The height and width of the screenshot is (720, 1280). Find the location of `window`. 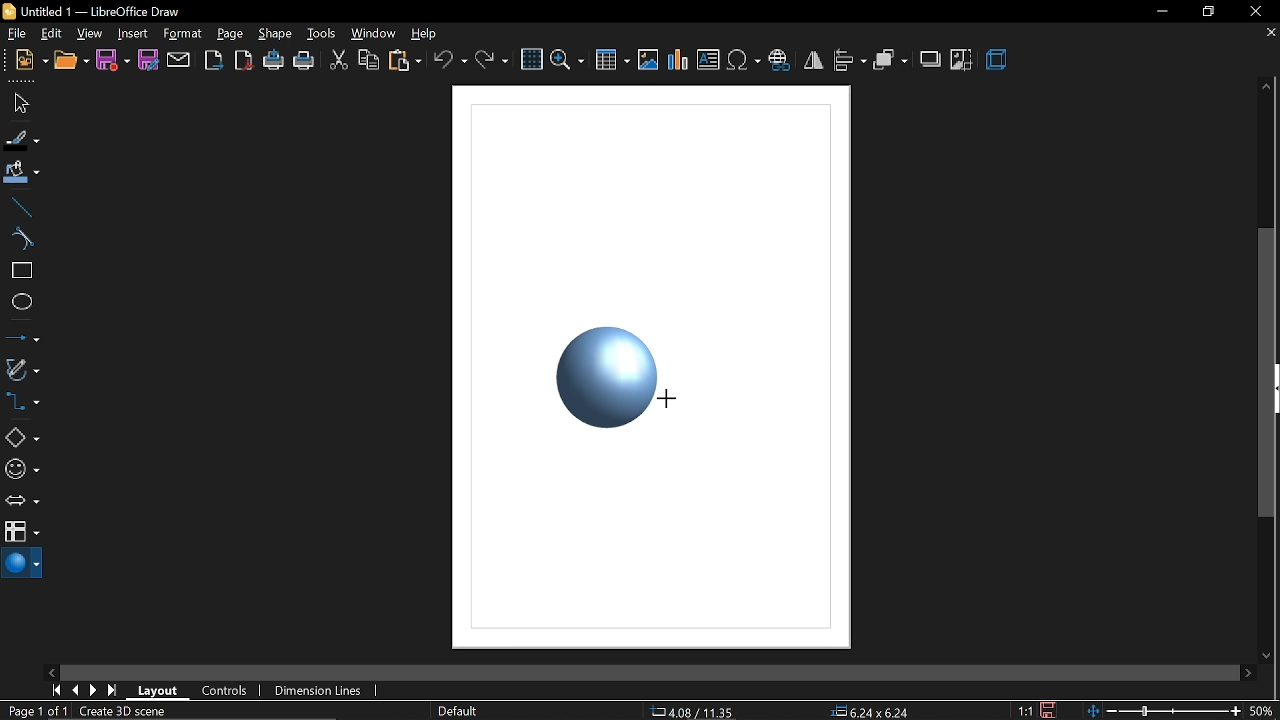

window is located at coordinates (374, 35).